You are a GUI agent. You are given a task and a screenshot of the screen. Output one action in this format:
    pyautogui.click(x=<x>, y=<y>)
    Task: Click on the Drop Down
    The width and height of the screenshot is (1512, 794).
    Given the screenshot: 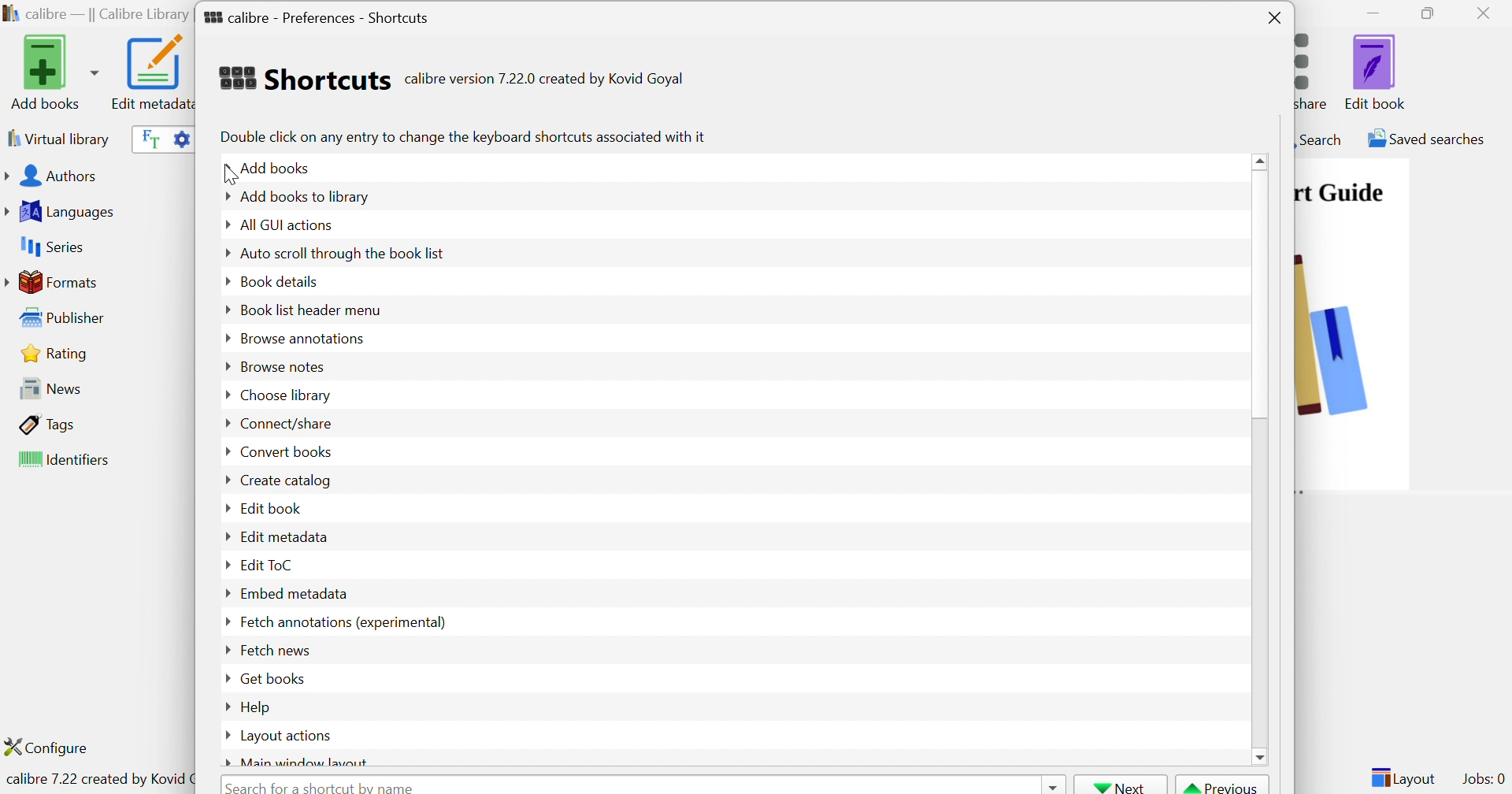 What is the action you would take?
    pyautogui.click(x=224, y=535)
    